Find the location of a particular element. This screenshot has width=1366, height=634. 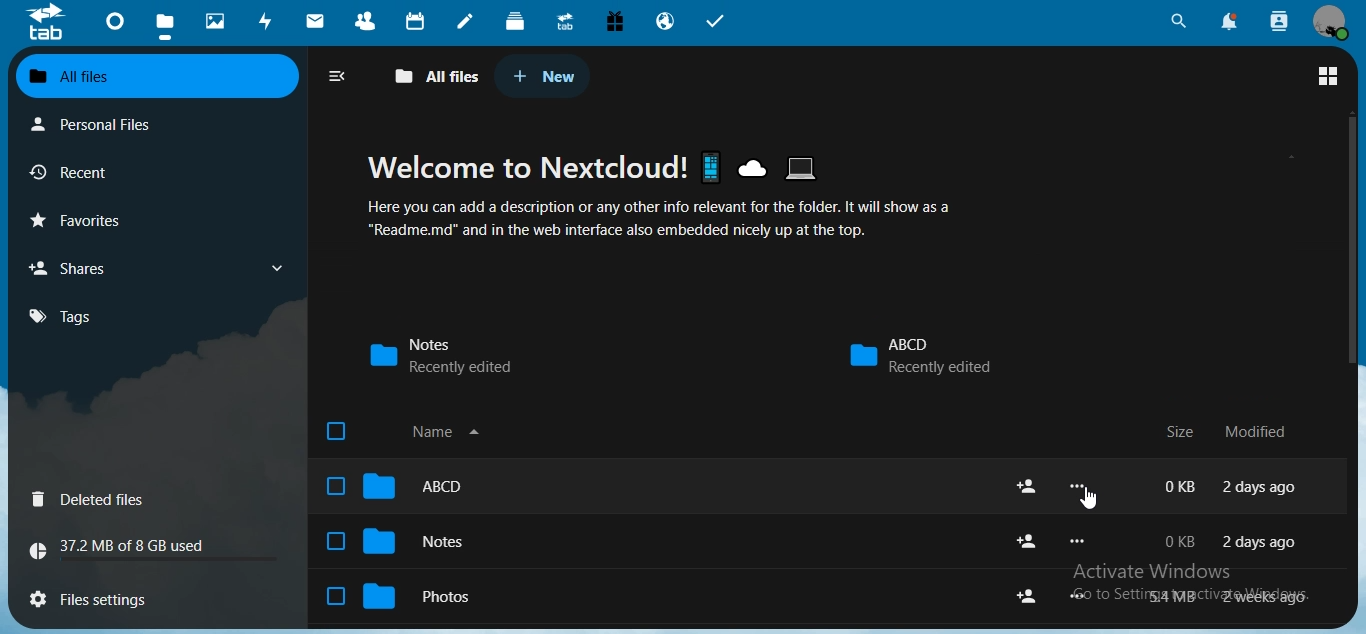

files settings is located at coordinates (99, 602).